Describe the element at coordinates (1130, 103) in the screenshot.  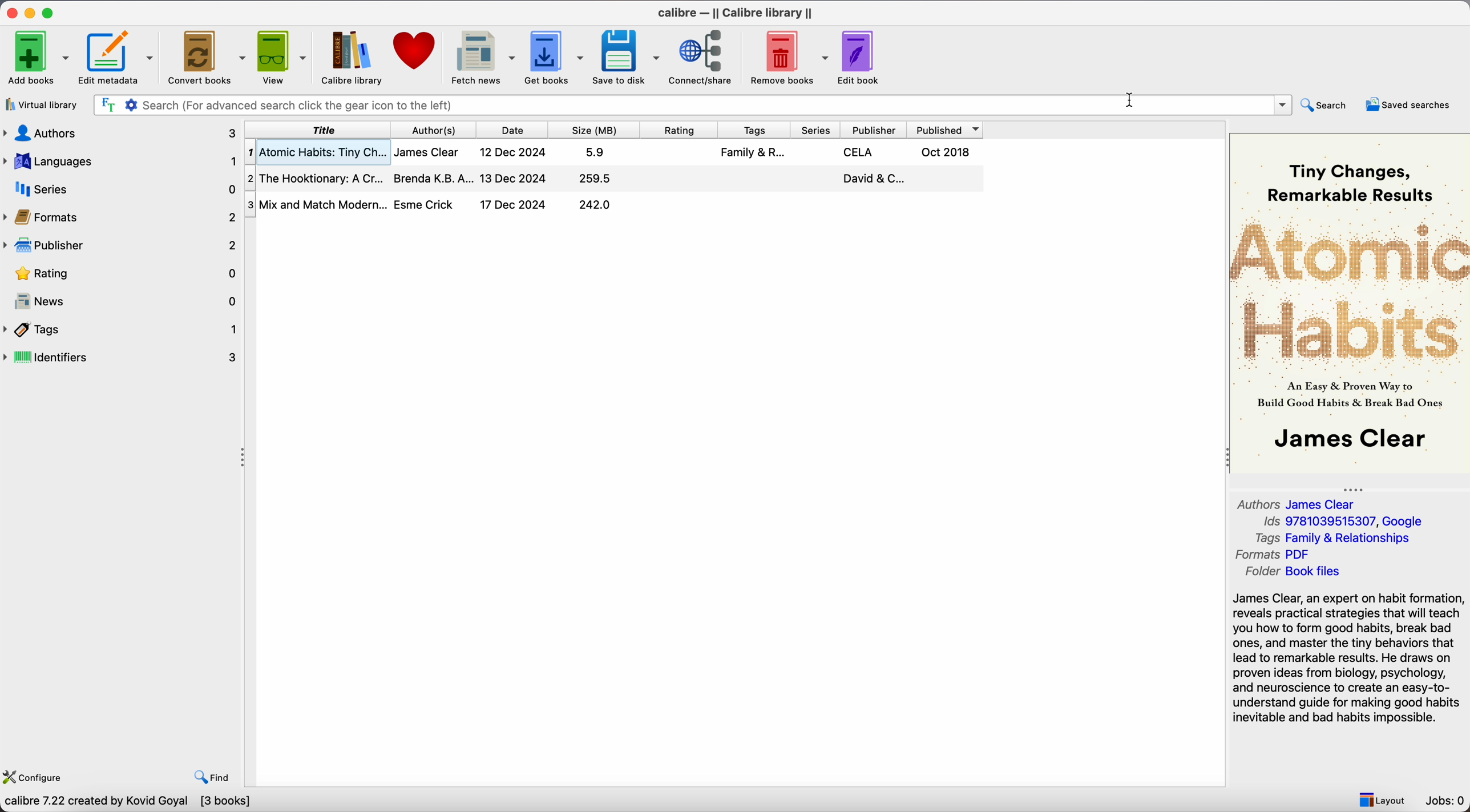
I see `cursor` at that location.